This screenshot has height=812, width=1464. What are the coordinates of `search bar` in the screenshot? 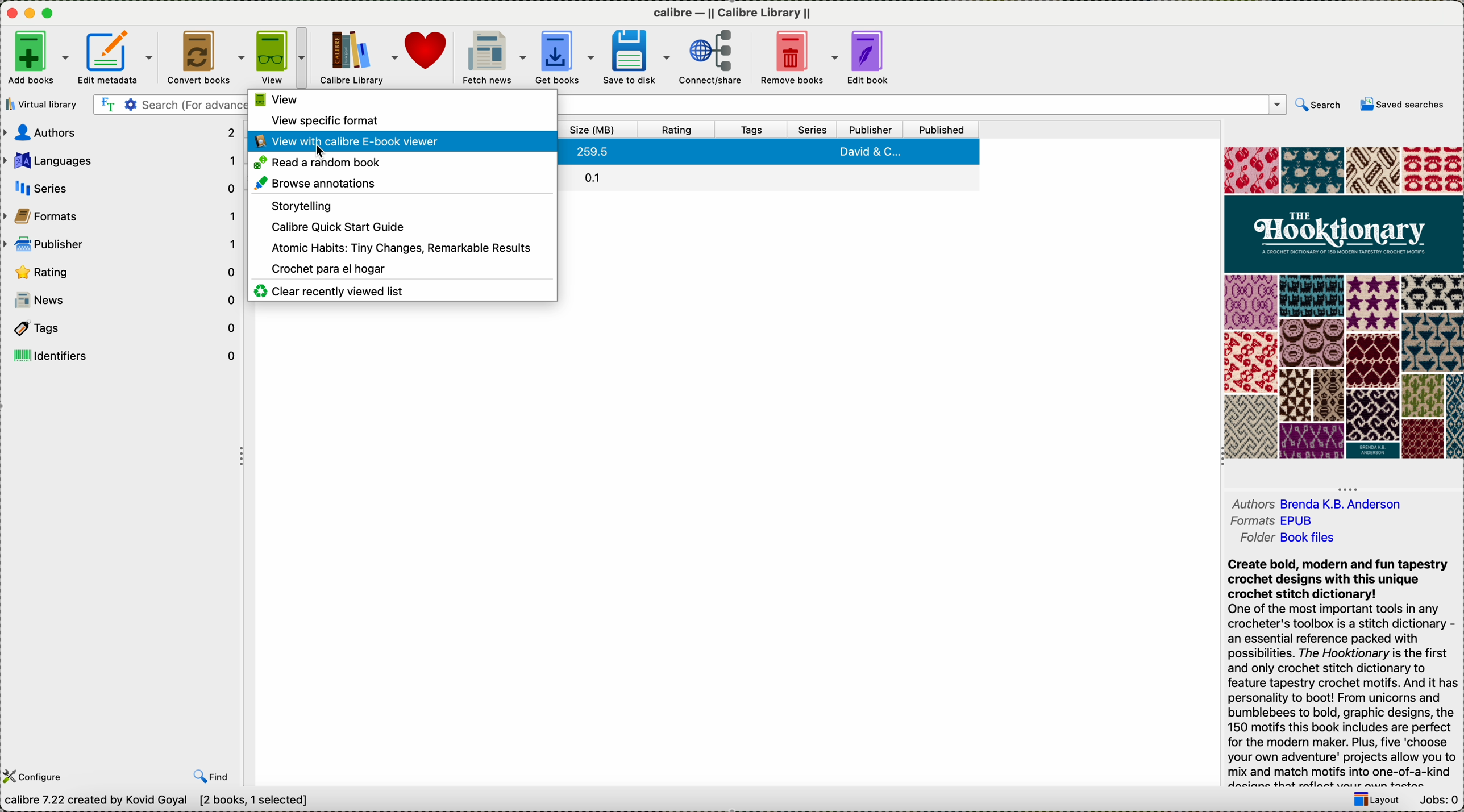 It's located at (167, 105).